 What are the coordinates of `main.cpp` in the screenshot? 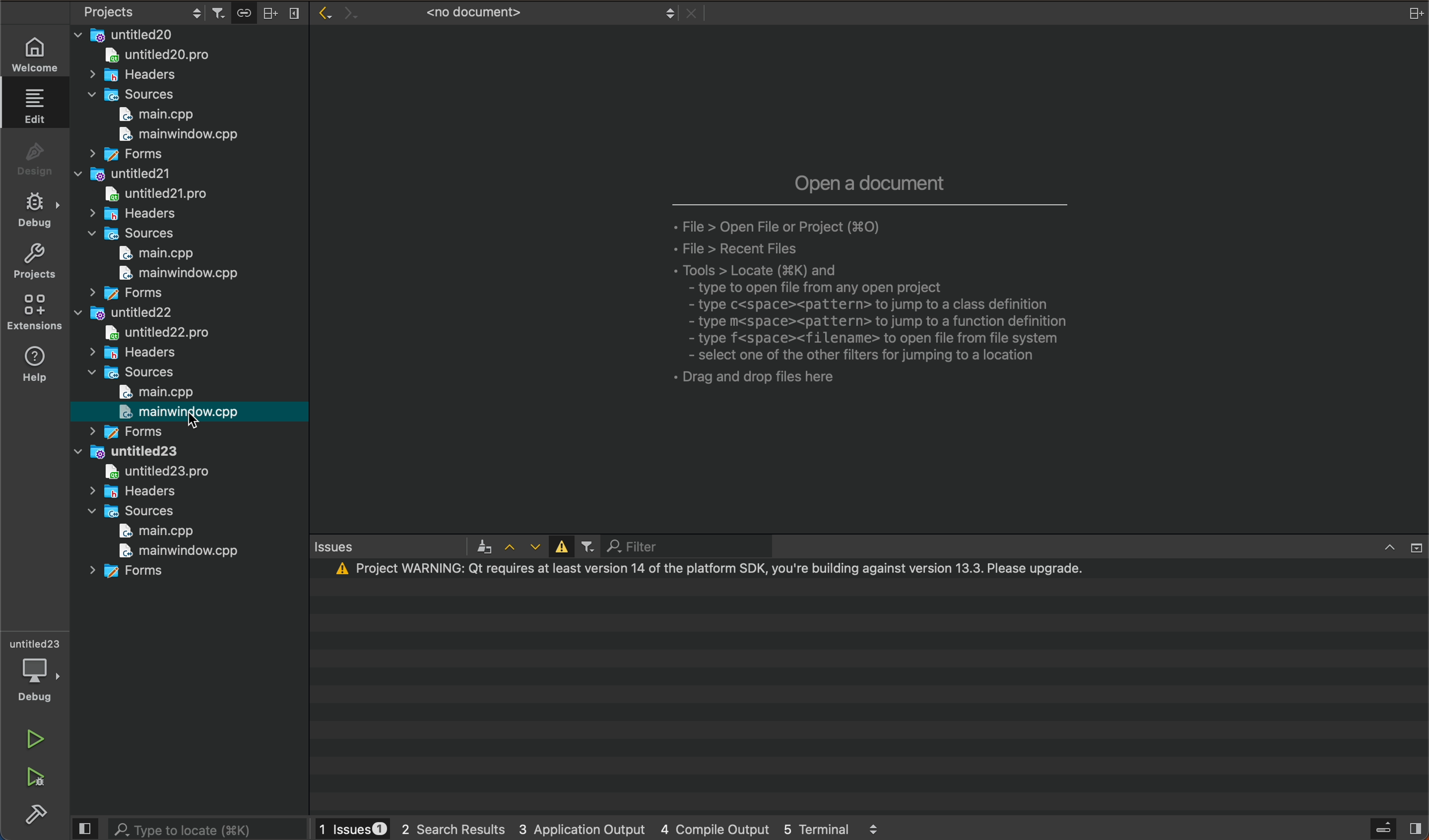 It's located at (160, 114).